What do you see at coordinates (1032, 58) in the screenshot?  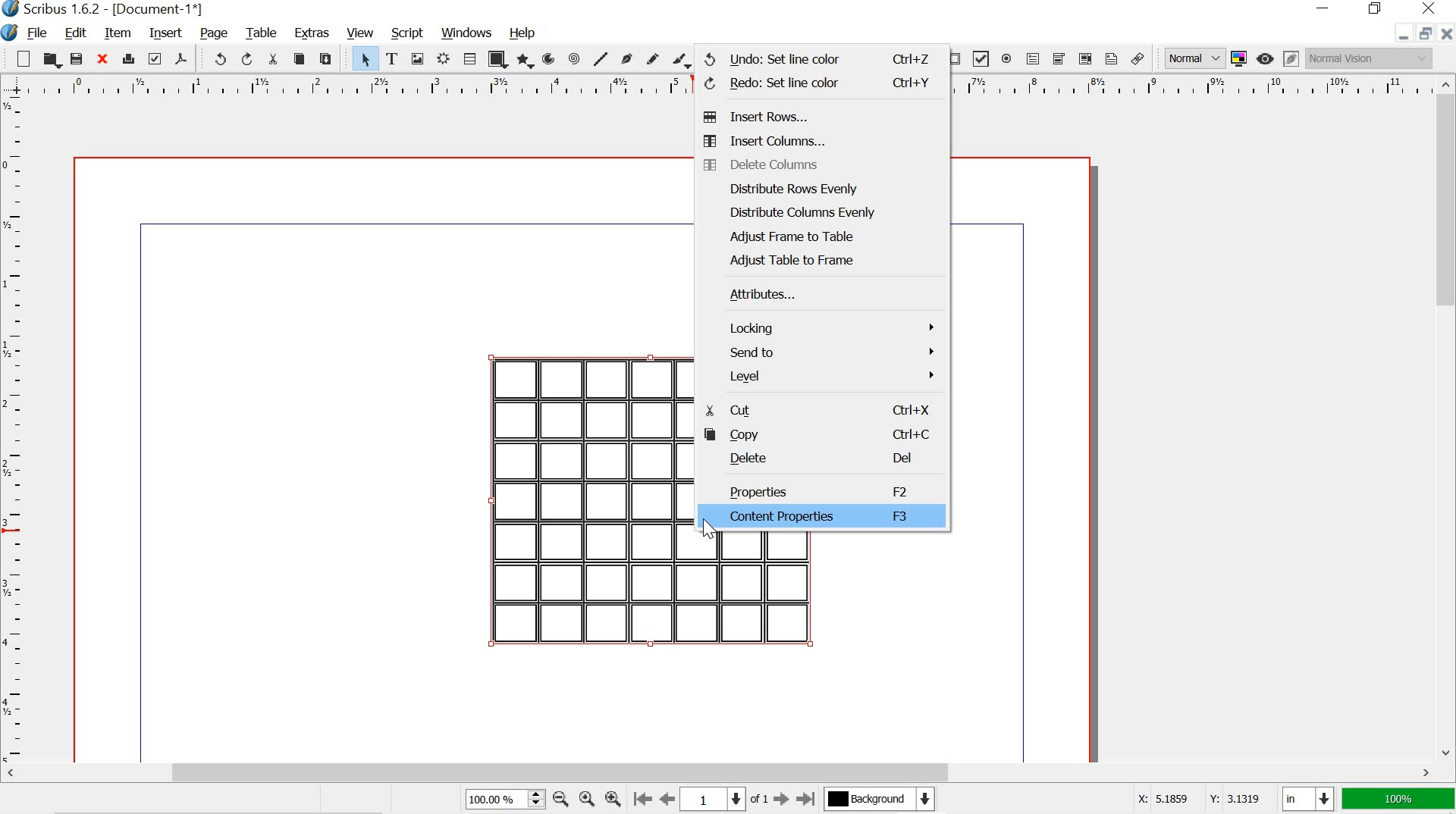 I see `pdf text field` at bounding box center [1032, 58].